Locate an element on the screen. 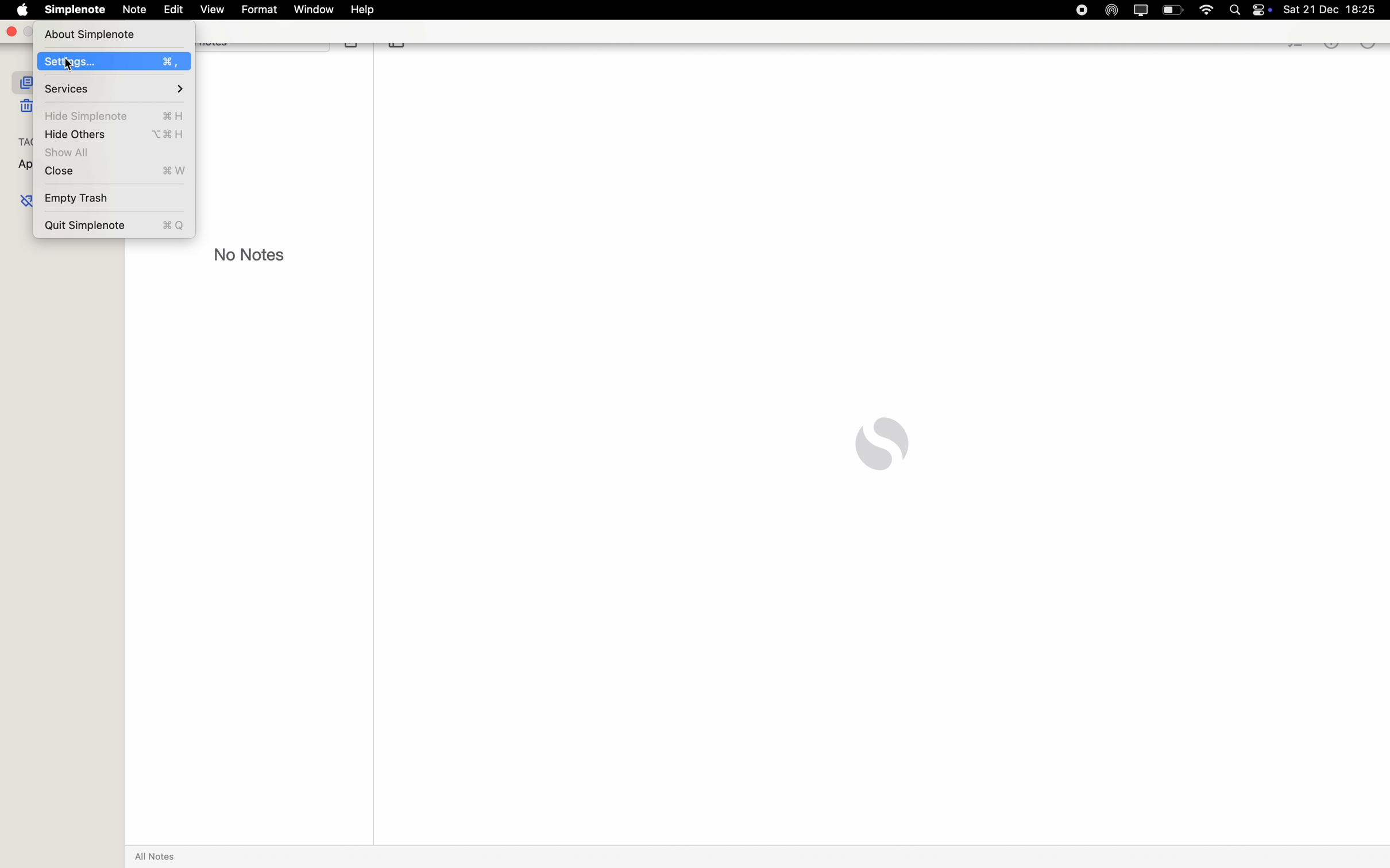 The height and width of the screenshot is (868, 1390). empty trash is located at coordinates (78, 196).